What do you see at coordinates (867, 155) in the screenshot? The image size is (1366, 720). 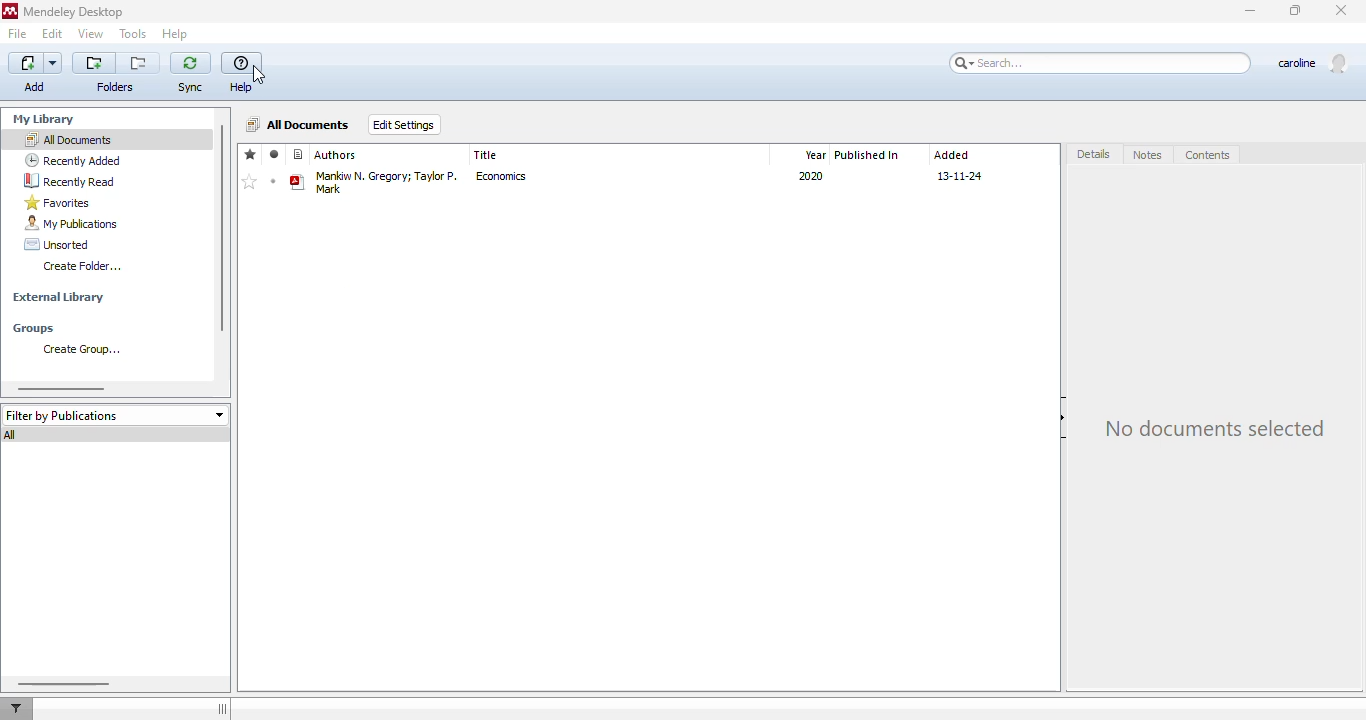 I see `published in` at bounding box center [867, 155].